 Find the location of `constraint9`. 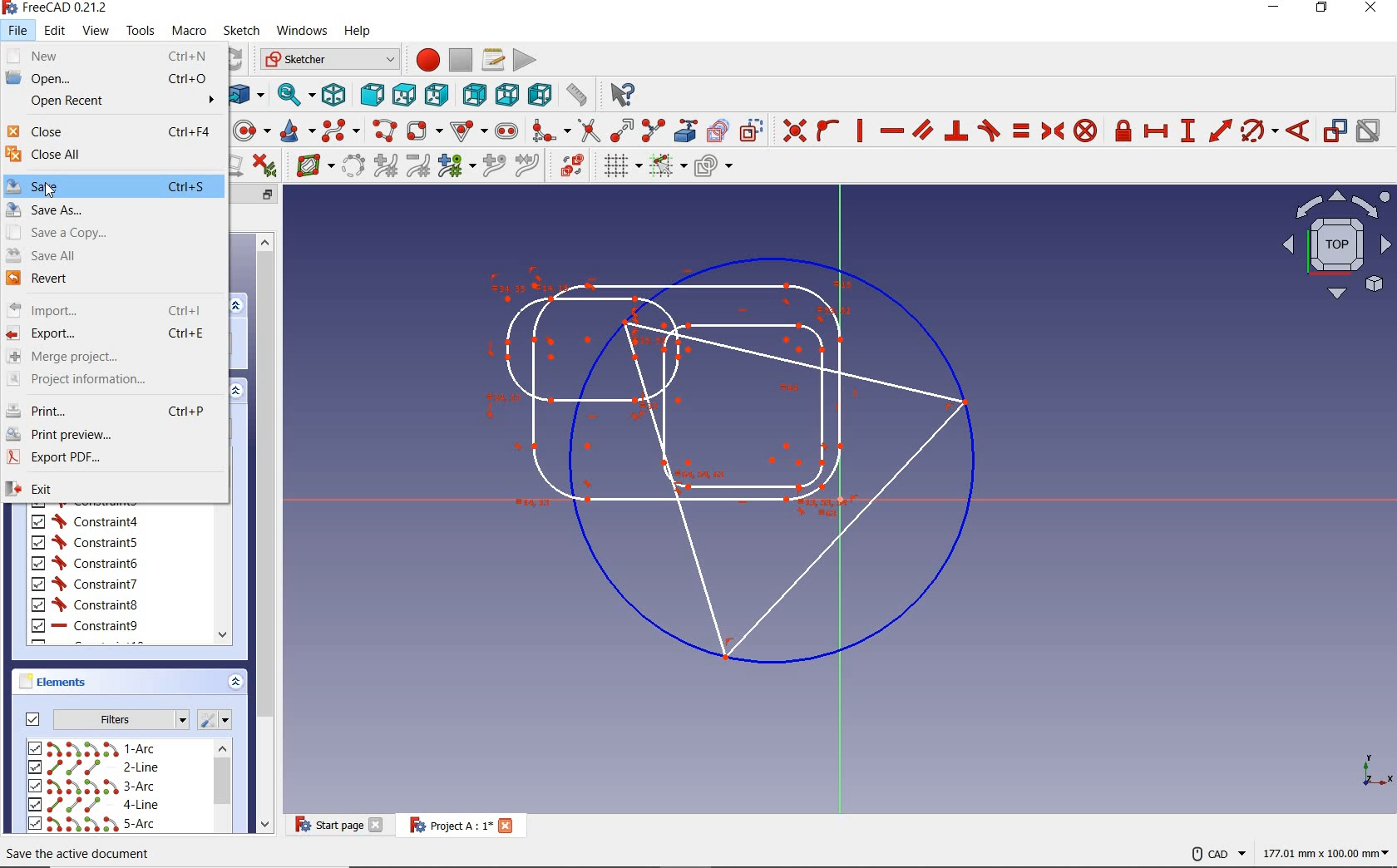

constraint9 is located at coordinates (84, 626).